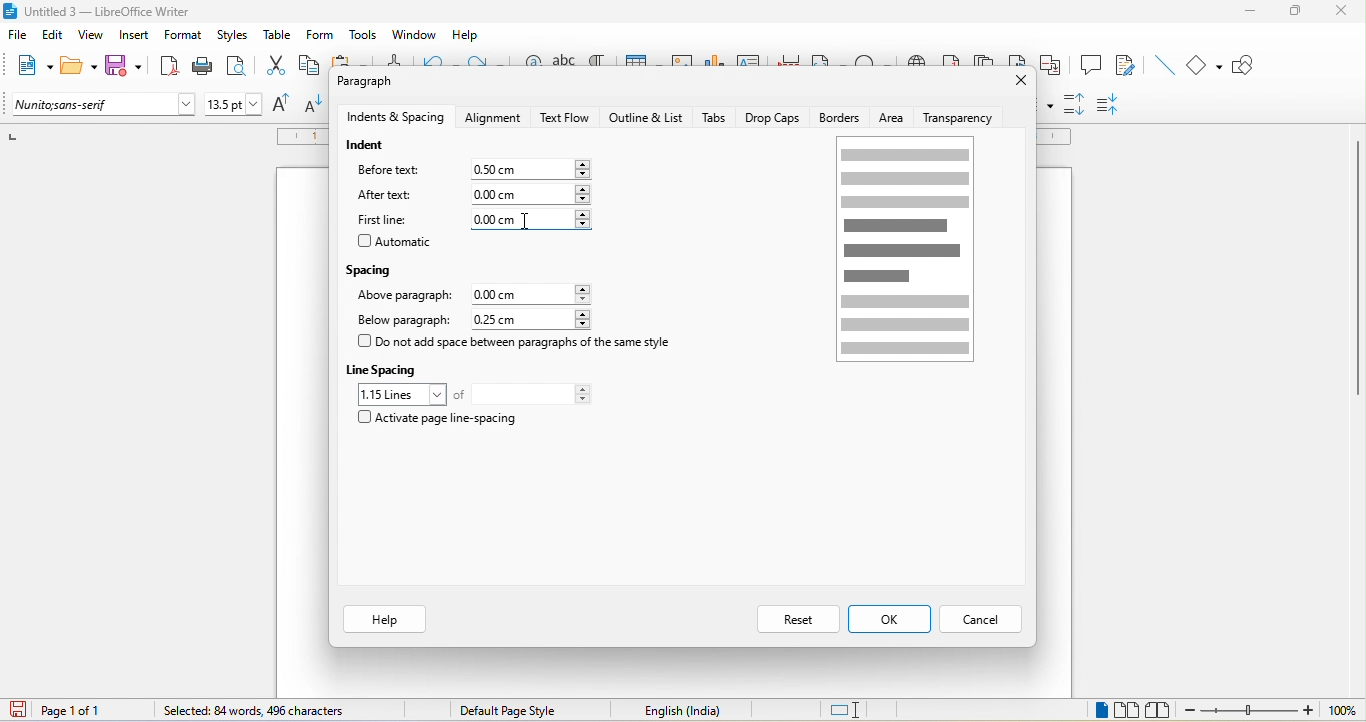 Image resolution: width=1366 pixels, height=722 pixels. Describe the element at coordinates (1250, 65) in the screenshot. I see `show draw function` at that location.